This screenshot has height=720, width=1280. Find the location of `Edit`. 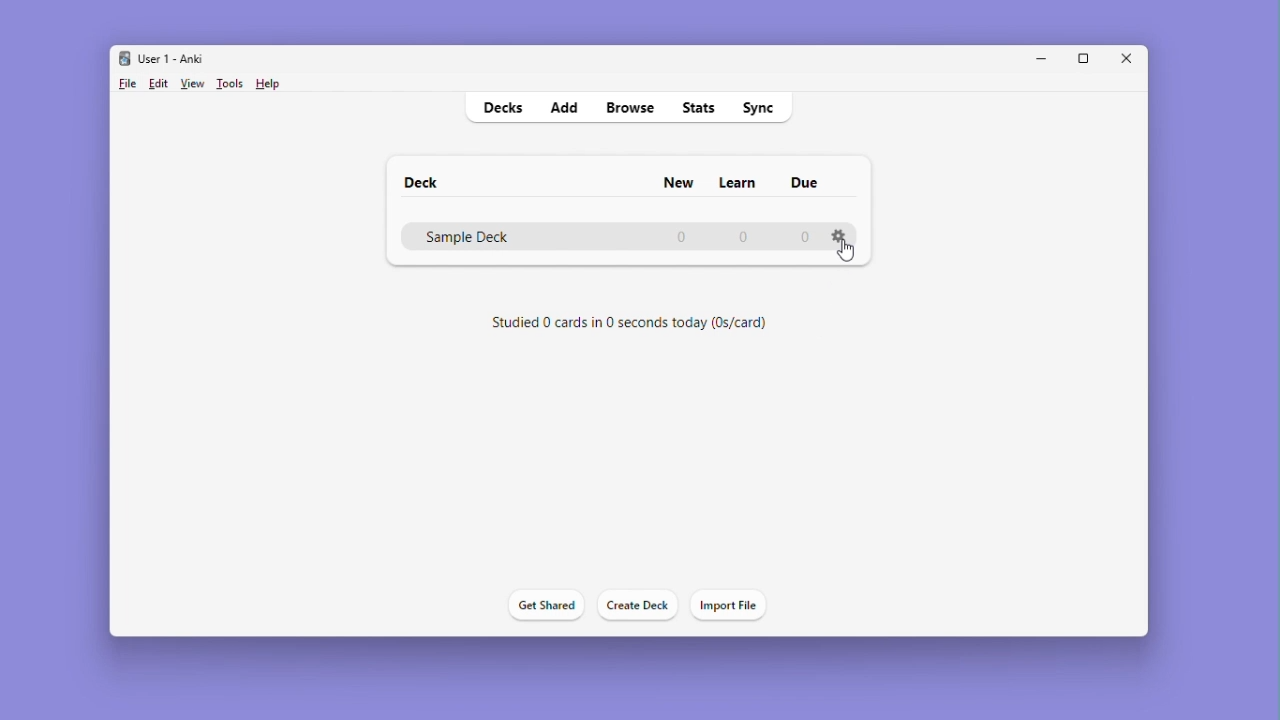

Edit is located at coordinates (159, 83).